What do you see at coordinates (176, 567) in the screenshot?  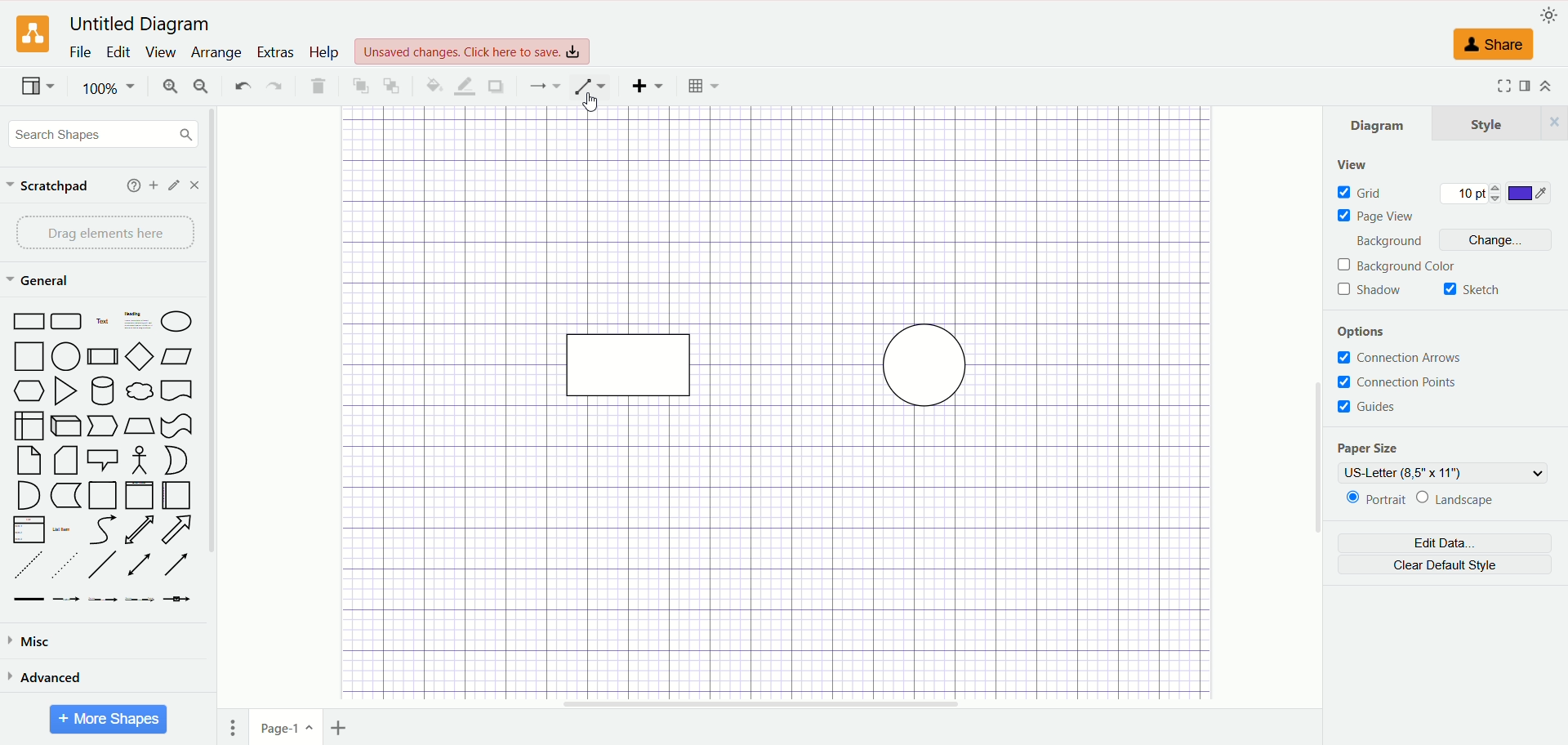 I see `Arrow Line` at bounding box center [176, 567].